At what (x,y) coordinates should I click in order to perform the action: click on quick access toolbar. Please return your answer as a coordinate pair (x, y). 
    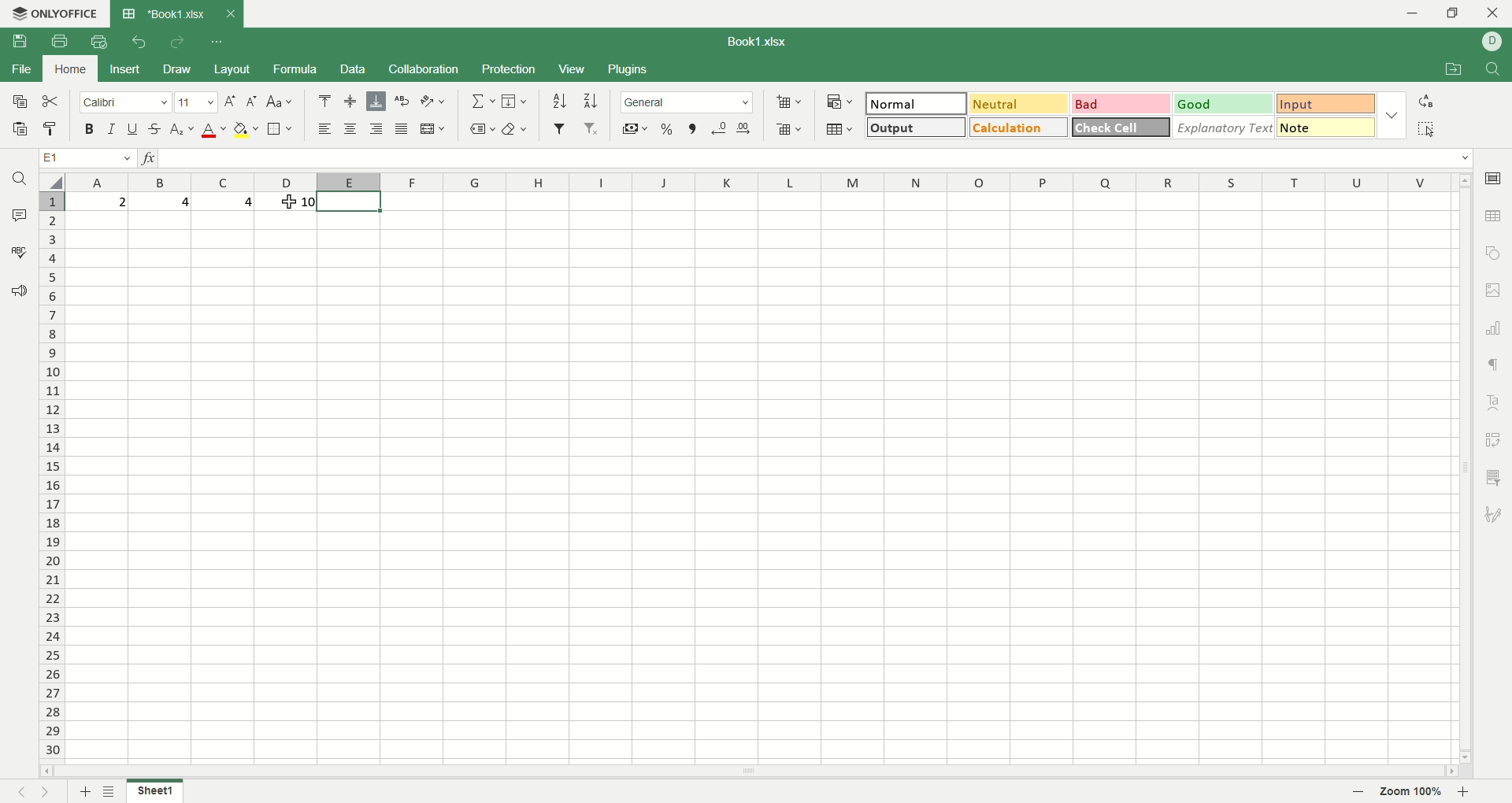
    Looking at the image, I should click on (219, 42).